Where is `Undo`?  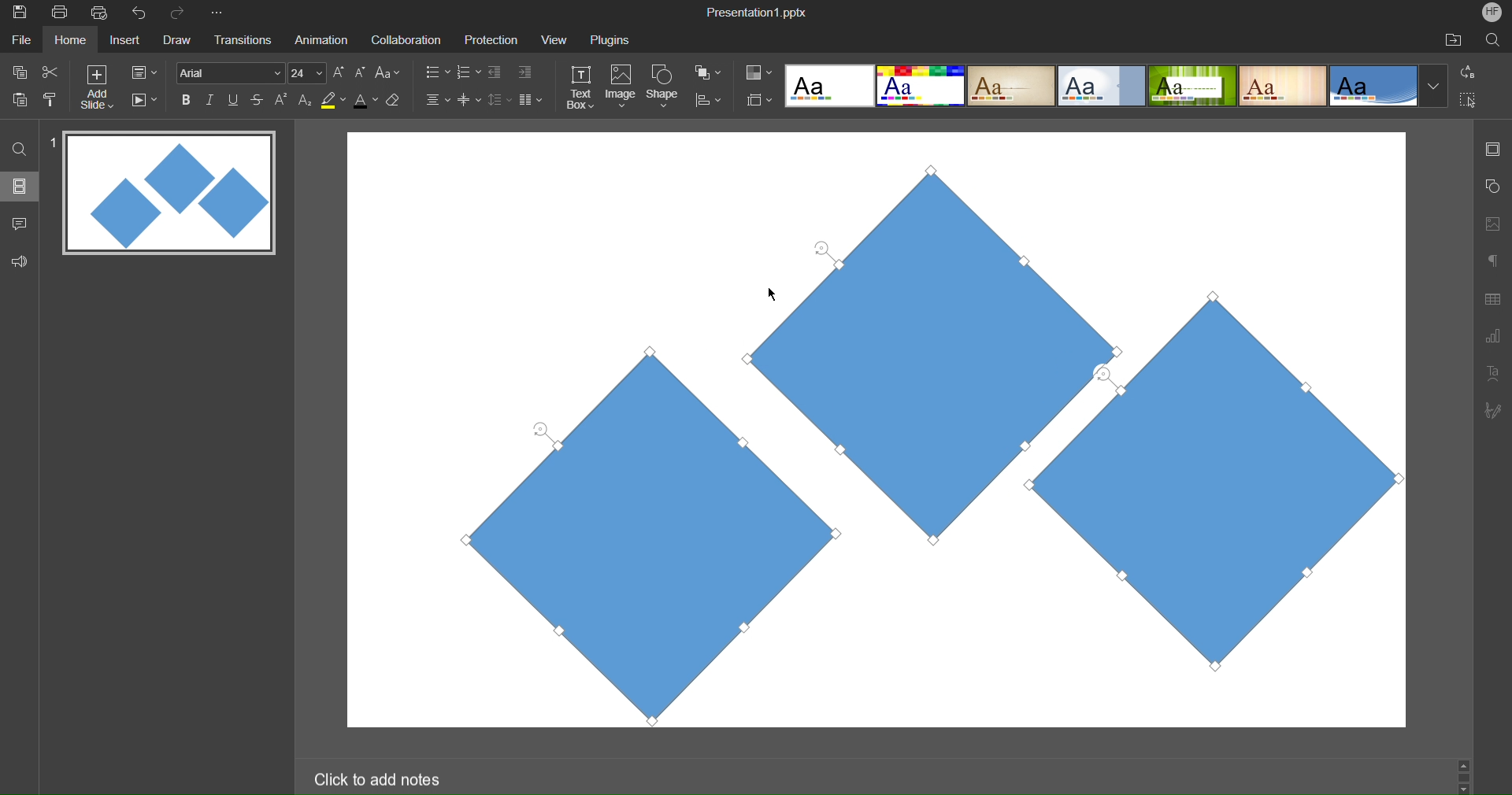
Undo is located at coordinates (143, 13).